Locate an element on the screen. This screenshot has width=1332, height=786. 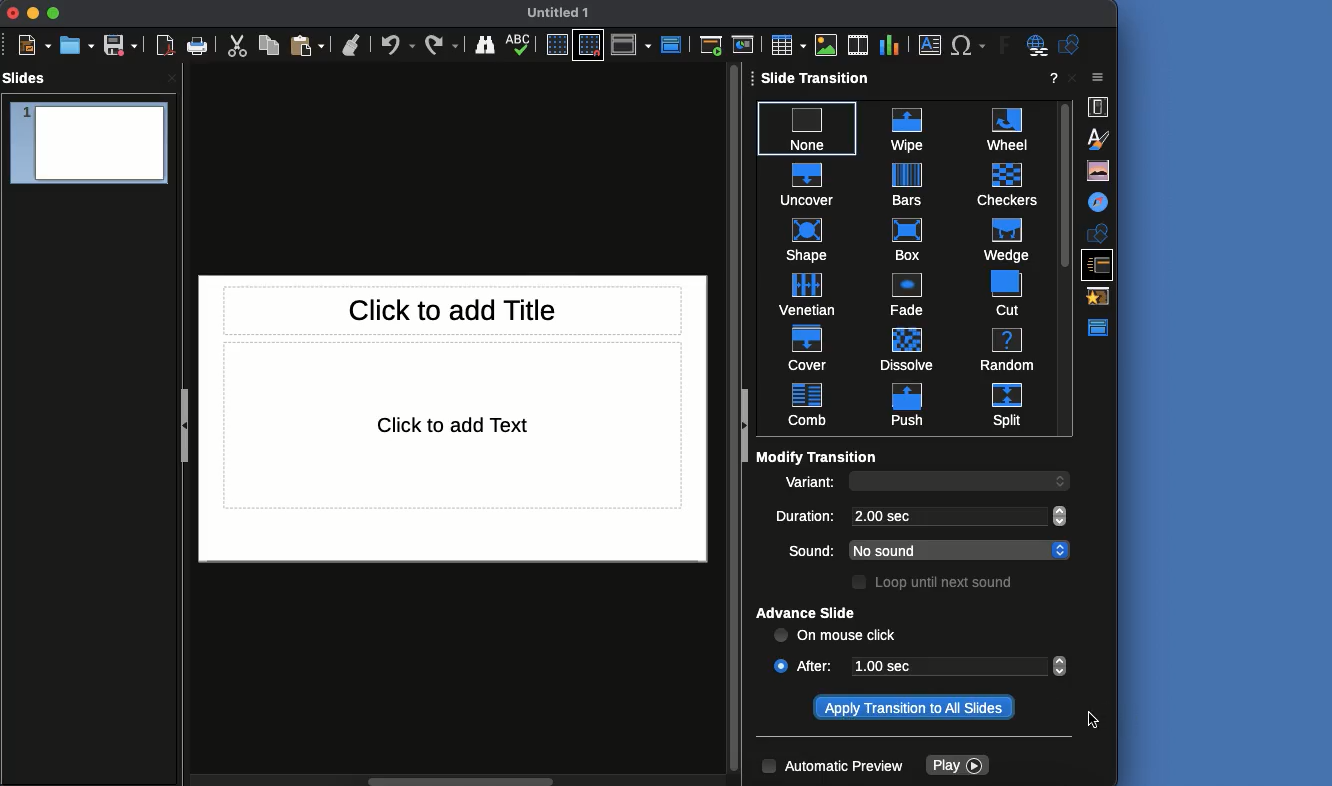
Automatic preview is located at coordinates (834, 767).